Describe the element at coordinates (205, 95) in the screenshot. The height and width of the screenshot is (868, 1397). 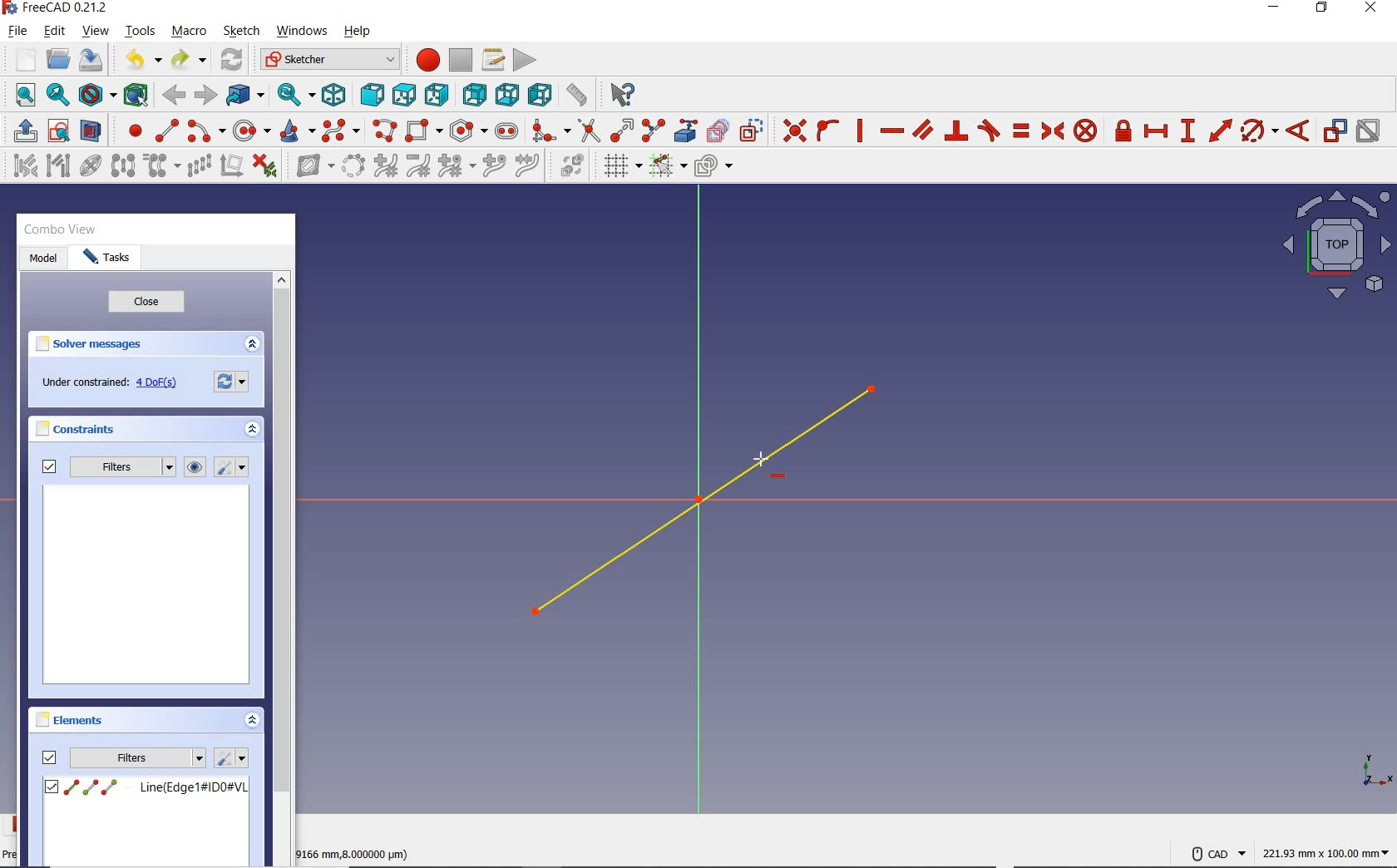
I see `FORWARD` at that location.